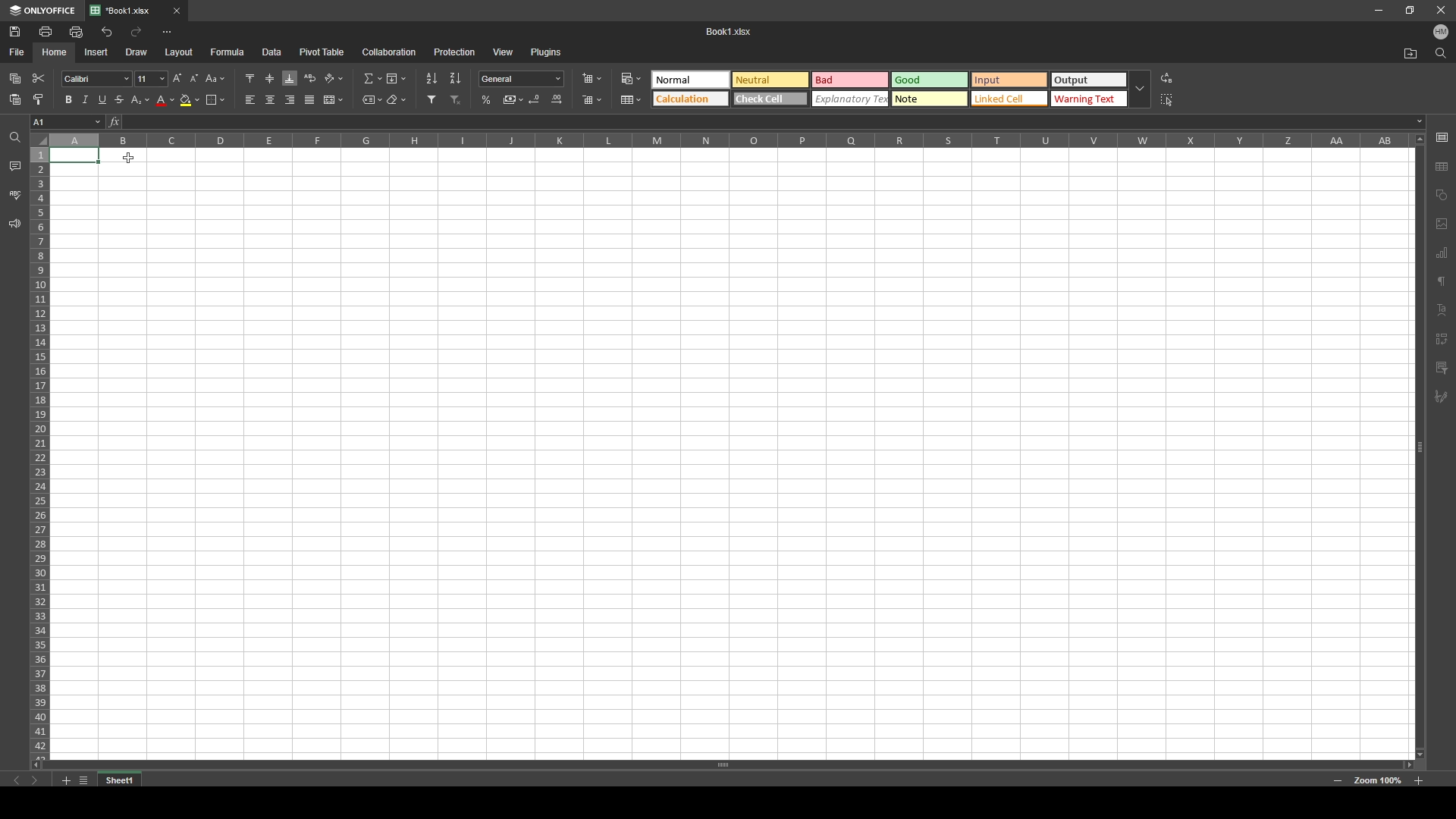  Describe the element at coordinates (689, 79) in the screenshot. I see `Neutral` at that location.